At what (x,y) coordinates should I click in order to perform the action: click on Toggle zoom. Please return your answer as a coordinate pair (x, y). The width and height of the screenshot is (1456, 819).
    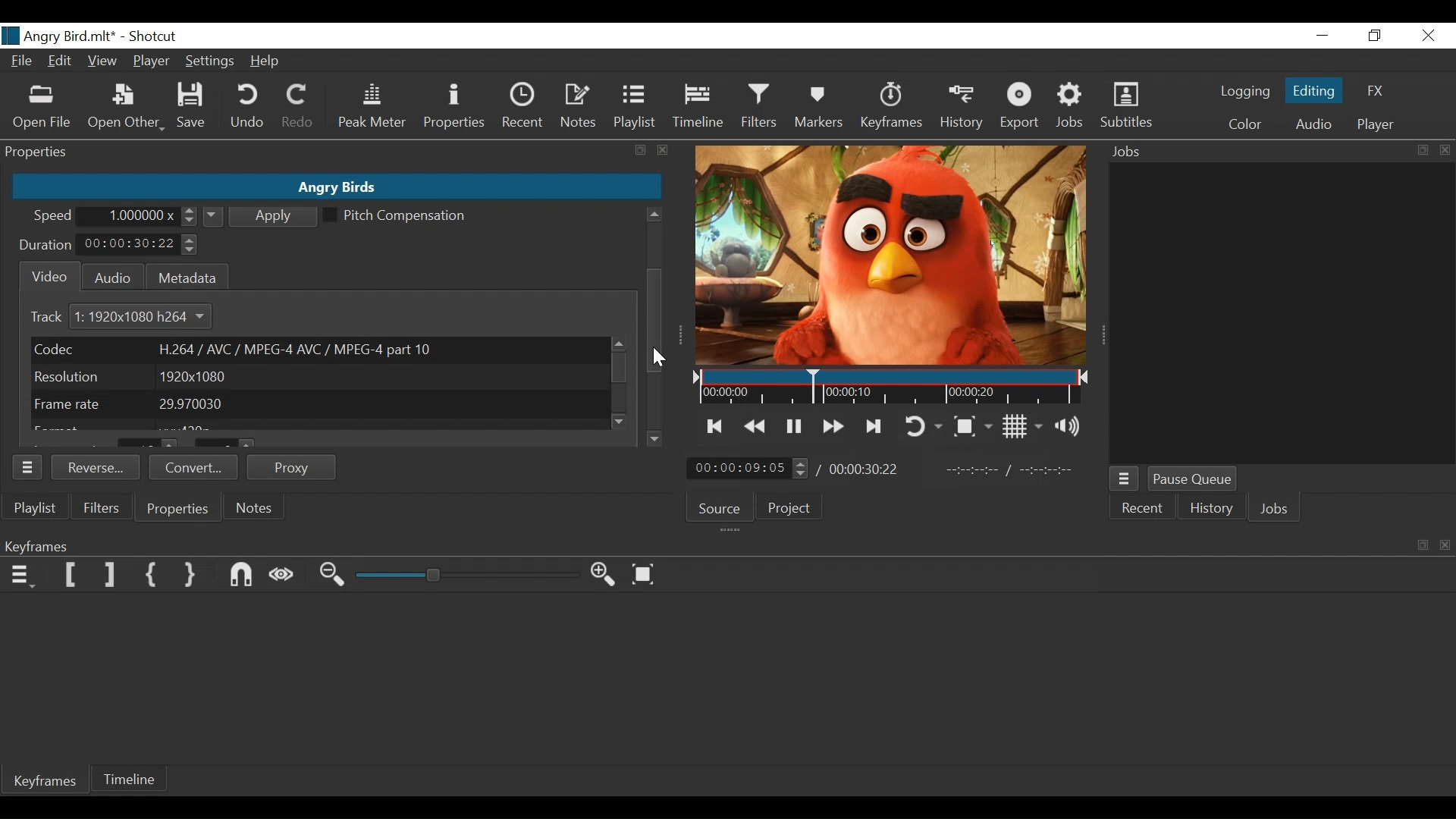
    Looking at the image, I should click on (974, 425).